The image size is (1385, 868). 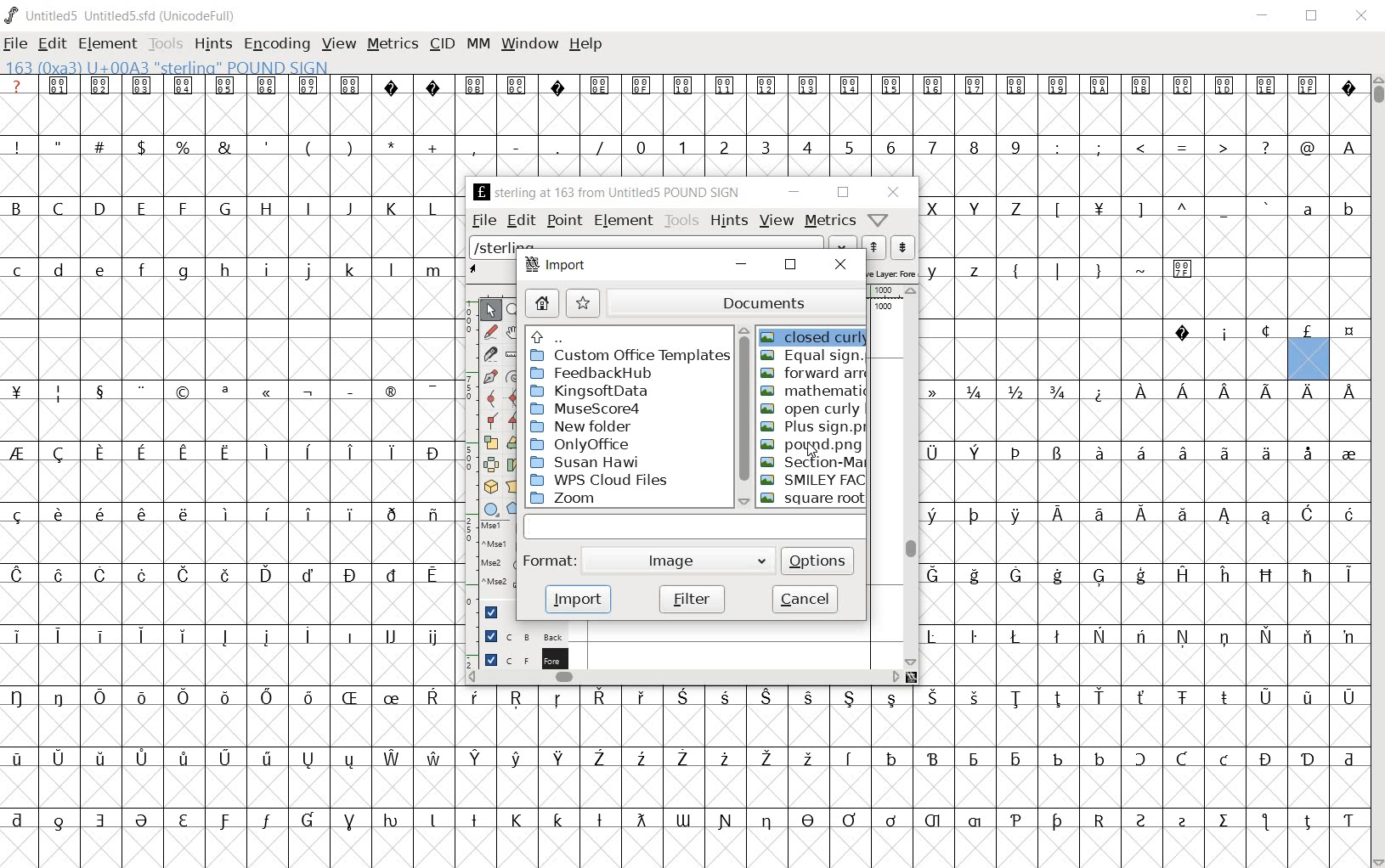 I want to click on Symbol, so click(x=183, y=697).